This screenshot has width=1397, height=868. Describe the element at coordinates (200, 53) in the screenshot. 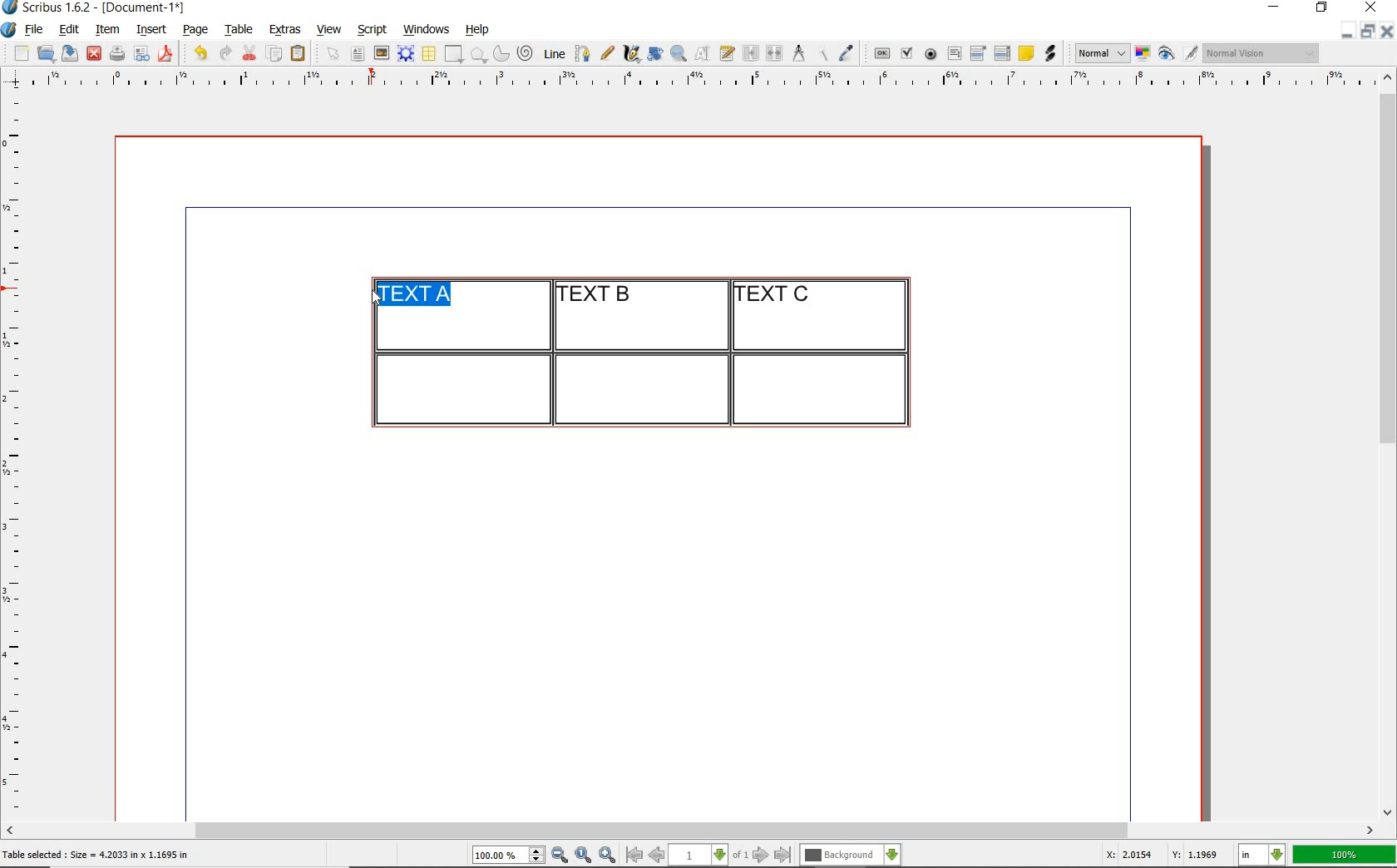

I see `undo` at that location.